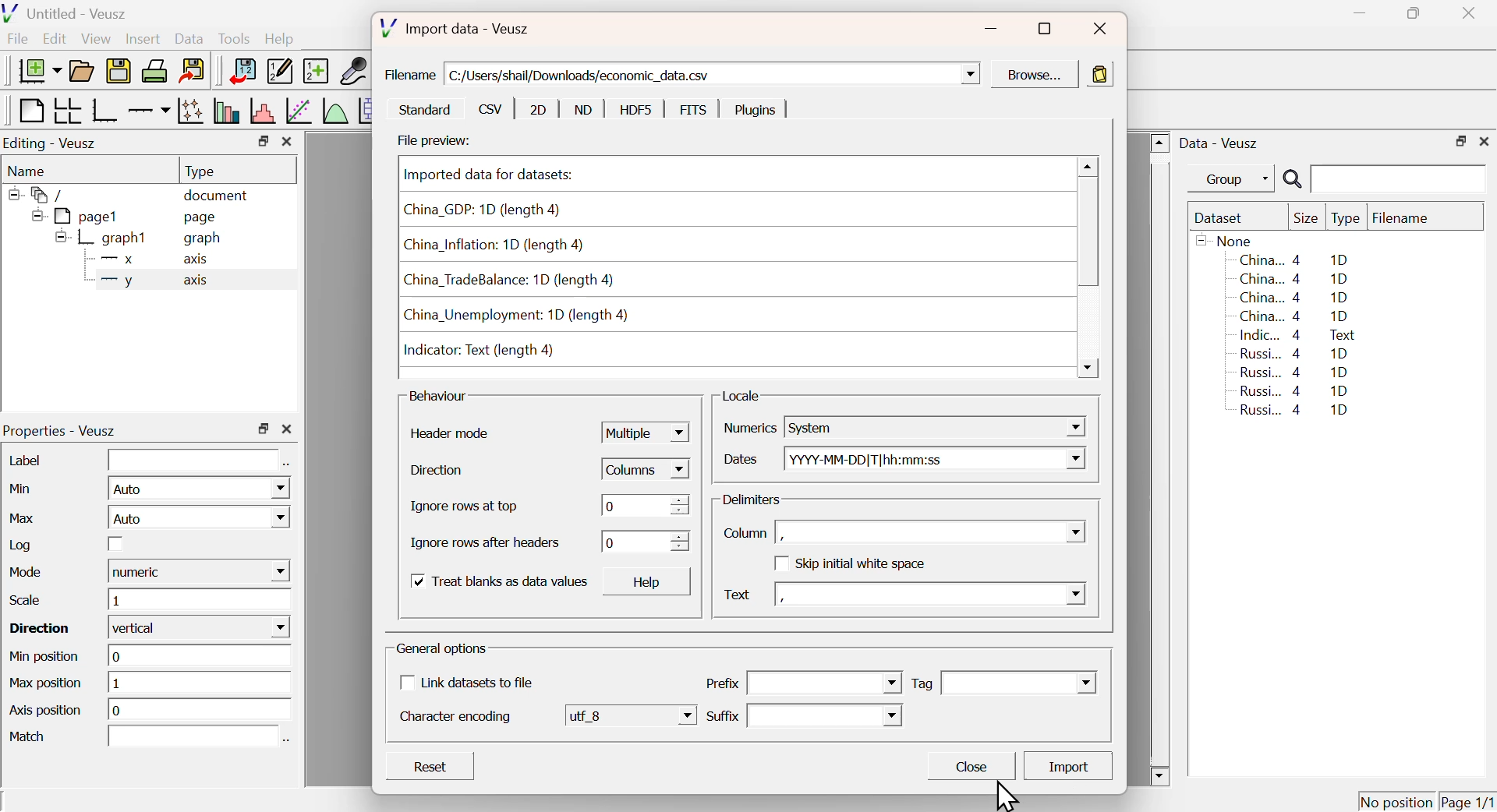 The height and width of the screenshot is (812, 1497). Describe the element at coordinates (432, 765) in the screenshot. I see `Reset` at that location.